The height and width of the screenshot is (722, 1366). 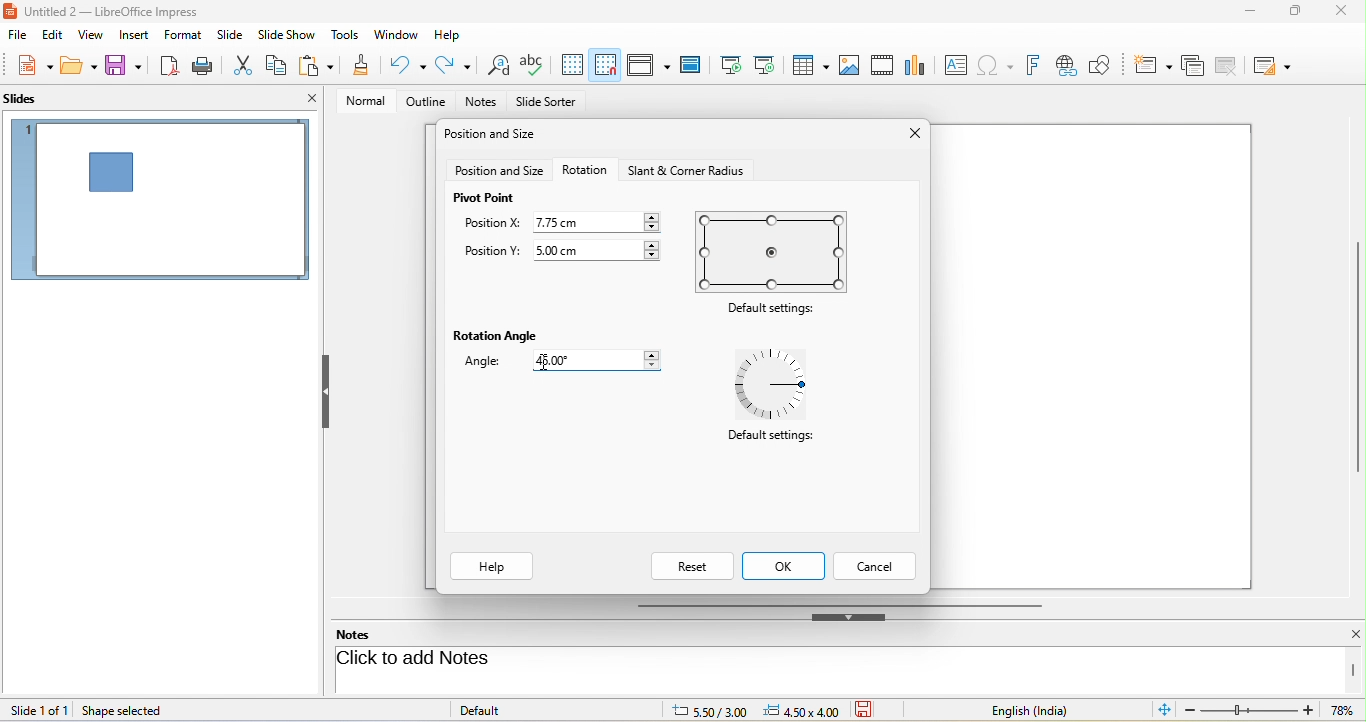 I want to click on open, so click(x=79, y=68).